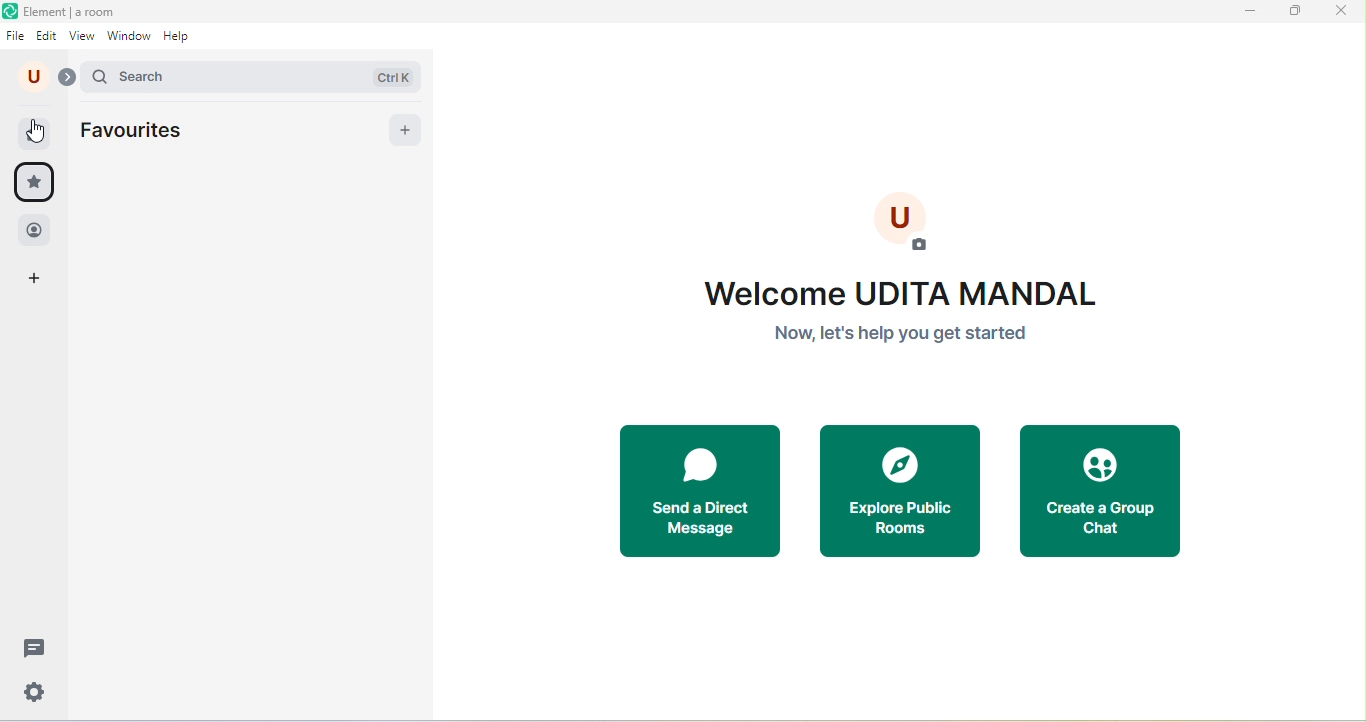 This screenshot has height=722, width=1366. I want to click on quick settings, so click(30, 692).